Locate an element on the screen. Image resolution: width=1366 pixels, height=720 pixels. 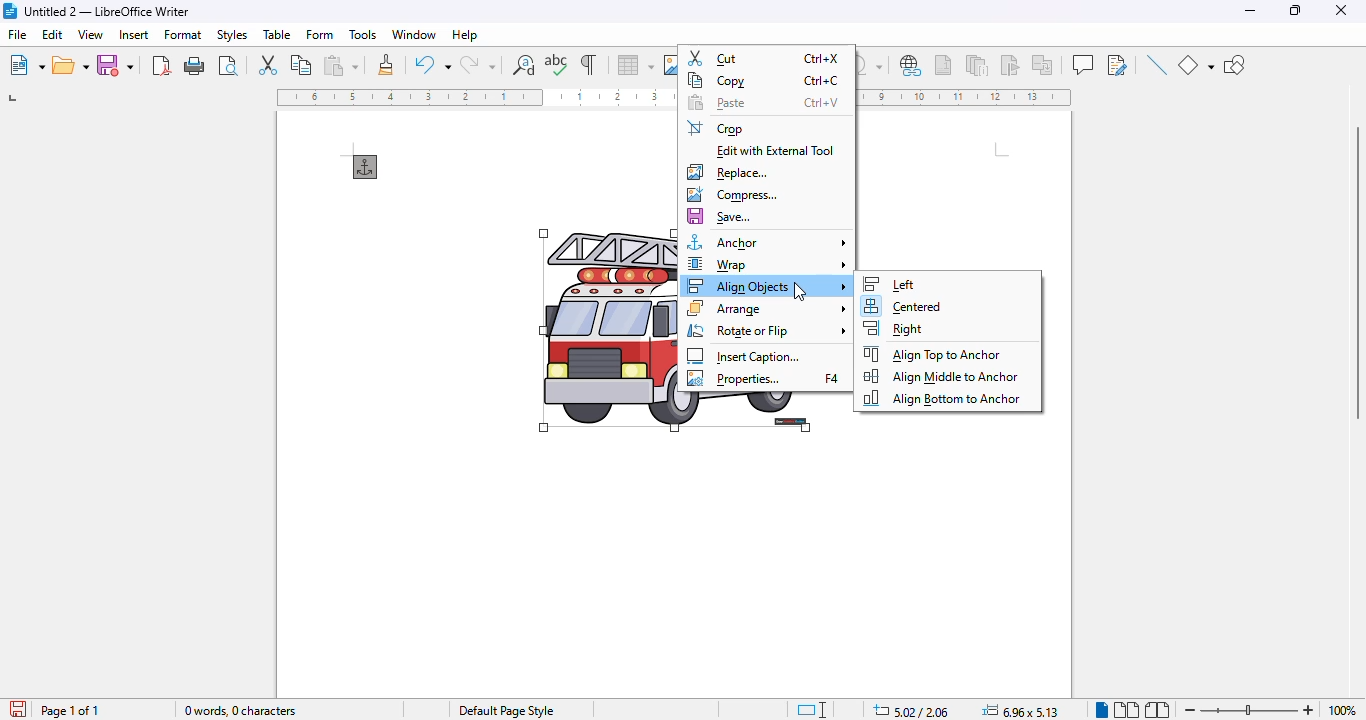
spelling is located at coordinates (557, 65).